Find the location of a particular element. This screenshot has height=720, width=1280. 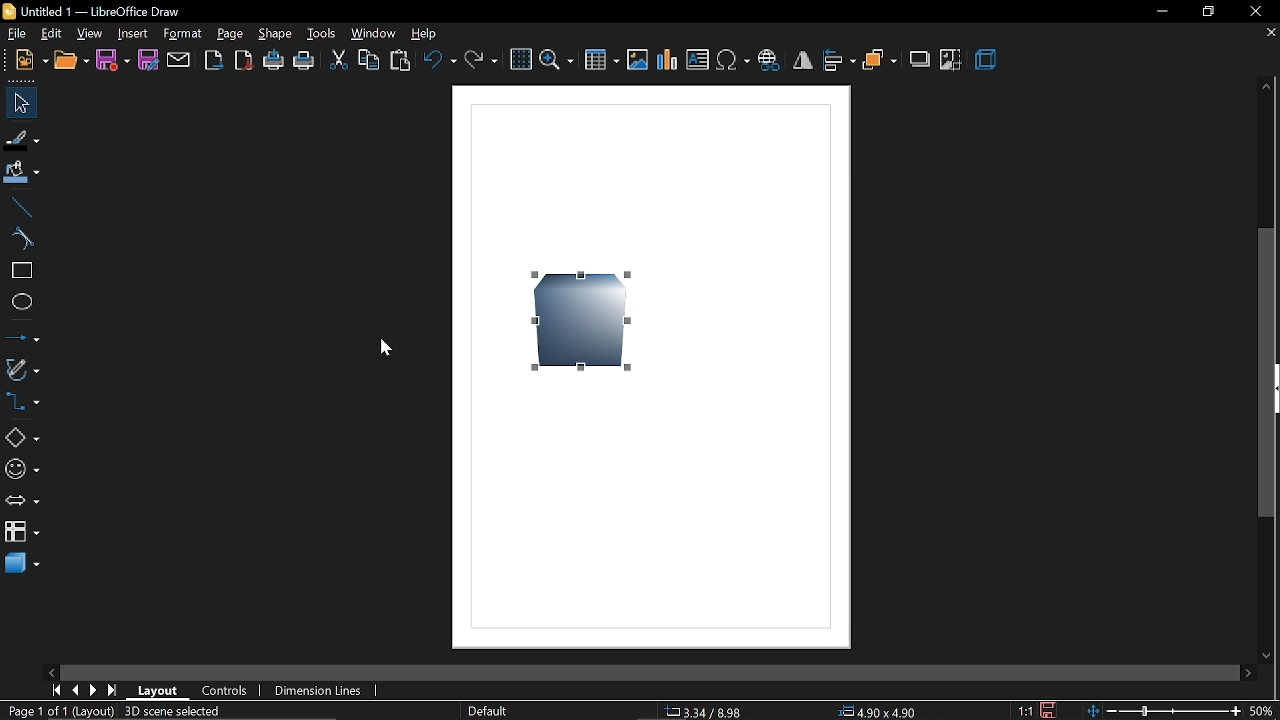

window is located at coordinates (377, 33).